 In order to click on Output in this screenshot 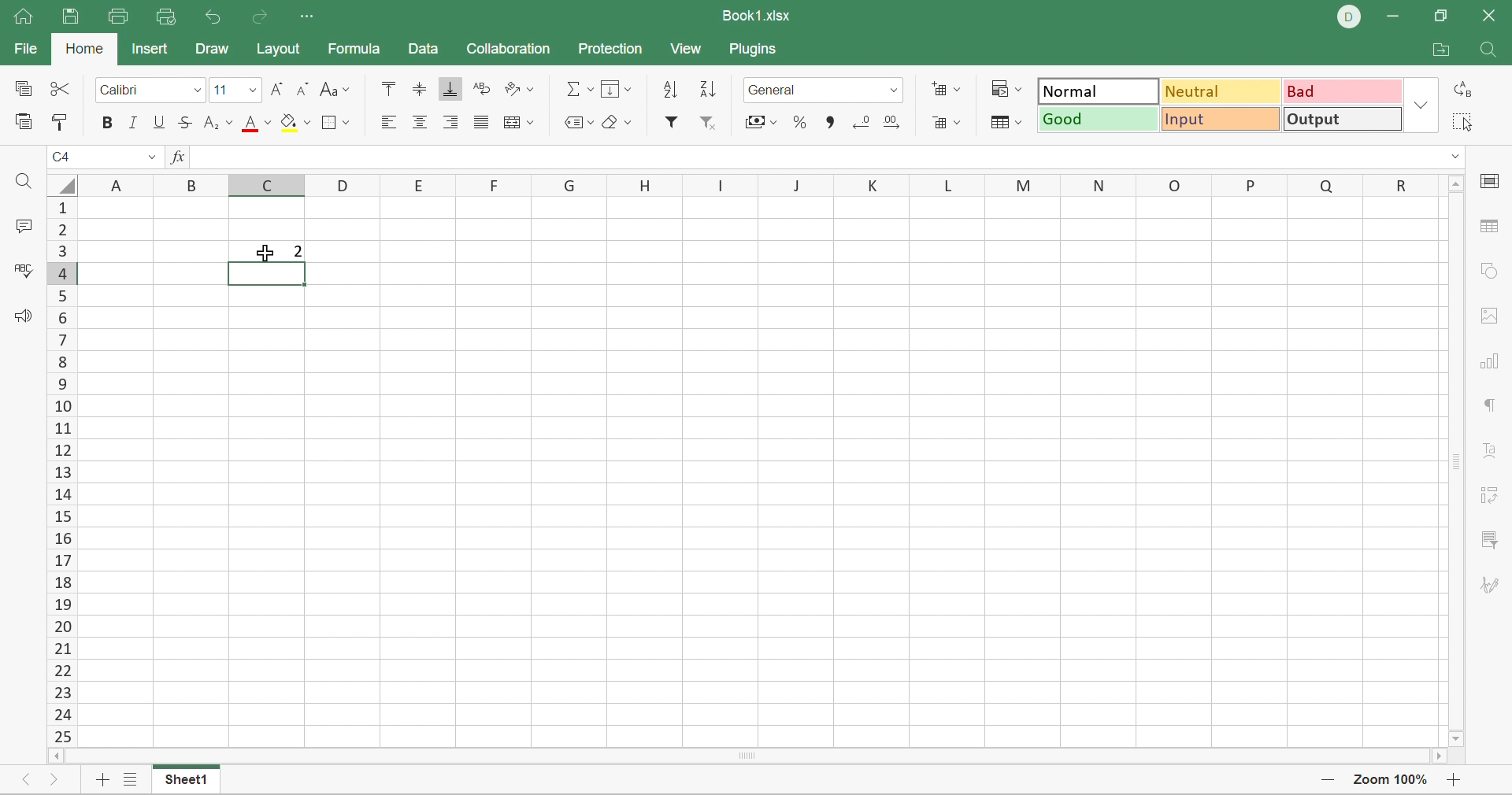, I will do `click(1343, 118)`.